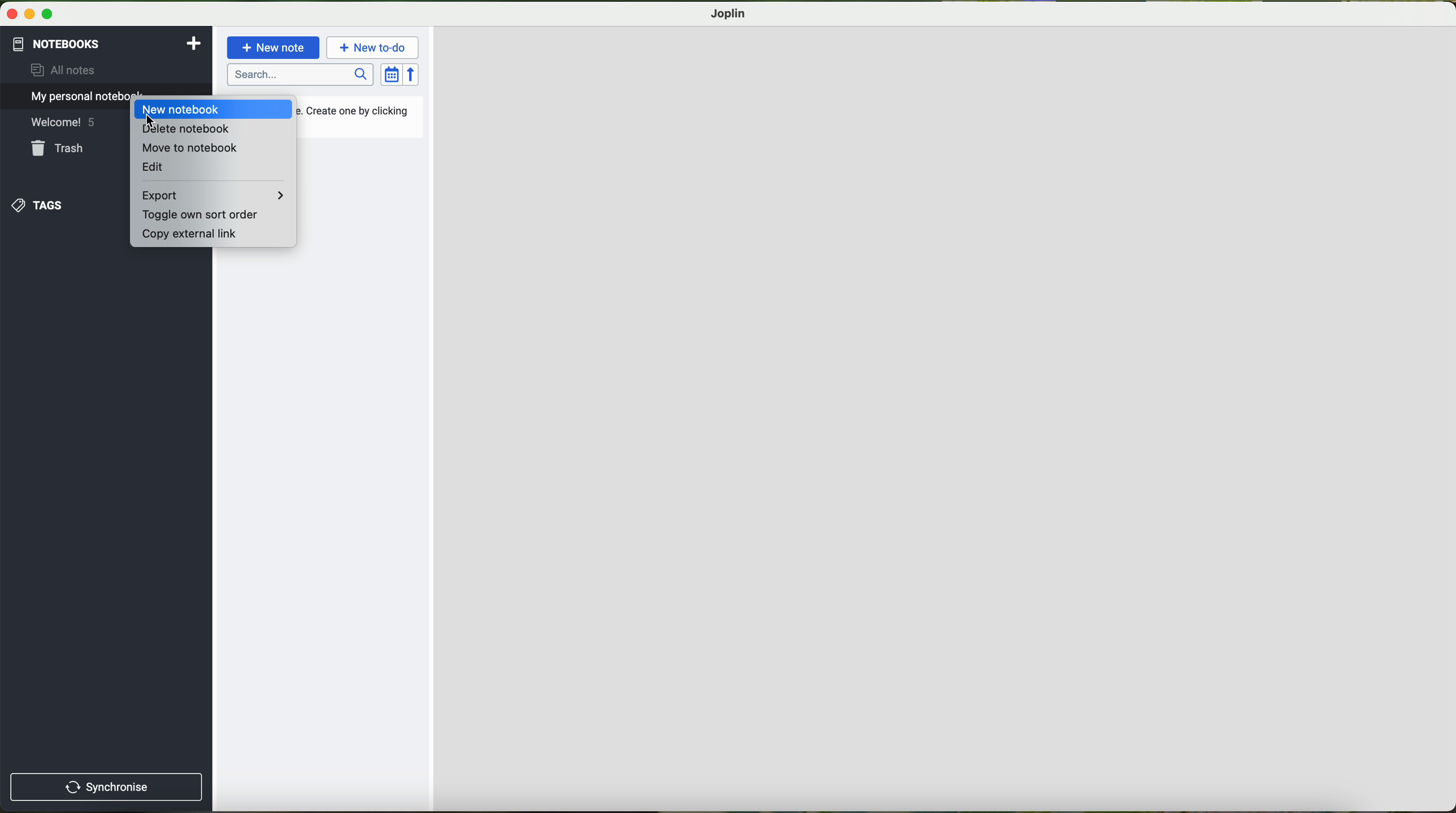 Image resolution: width=1456 pixels, height=813 pixels. Describe the element at coordinates (214, 195) in the screenshot. I see `export` at that location.